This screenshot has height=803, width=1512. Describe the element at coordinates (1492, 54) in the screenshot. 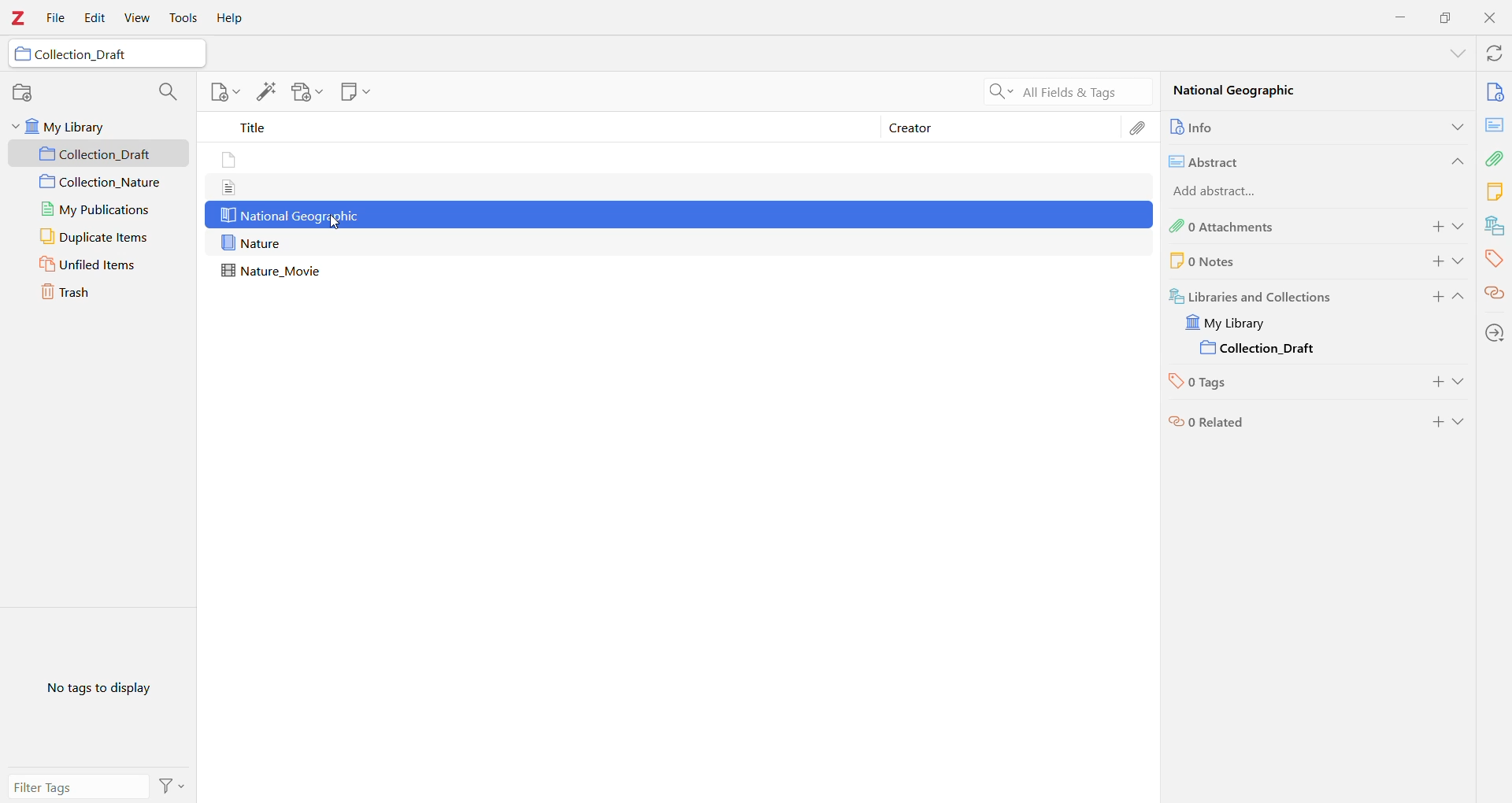

I see `Sync with Zotero.org` at that location.